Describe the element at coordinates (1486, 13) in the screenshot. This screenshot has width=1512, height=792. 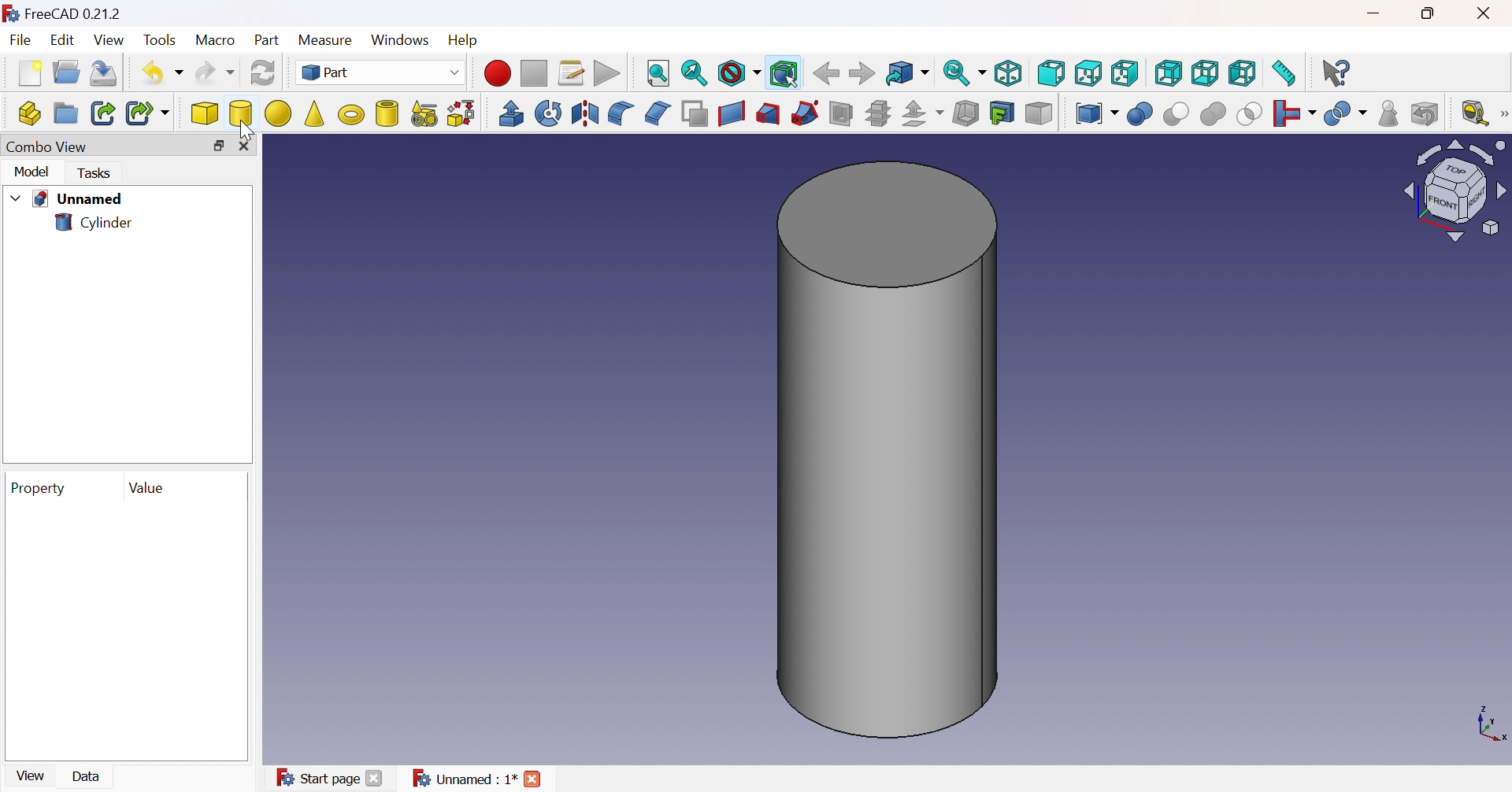
I see `Close` at that location.